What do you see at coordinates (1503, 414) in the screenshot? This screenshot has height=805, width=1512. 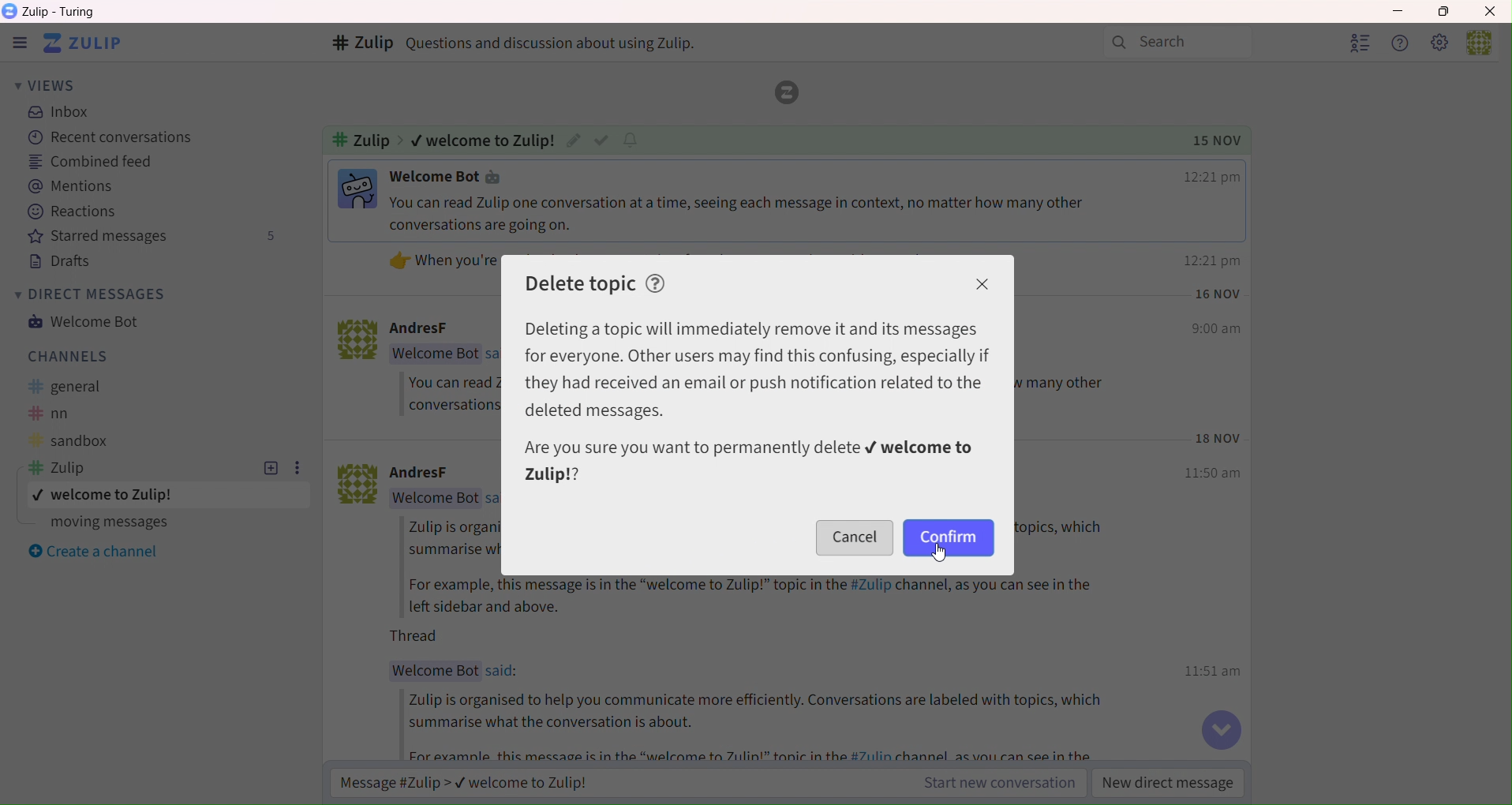 I see `Vertical slide bar` at bounding box center [1503, 414].